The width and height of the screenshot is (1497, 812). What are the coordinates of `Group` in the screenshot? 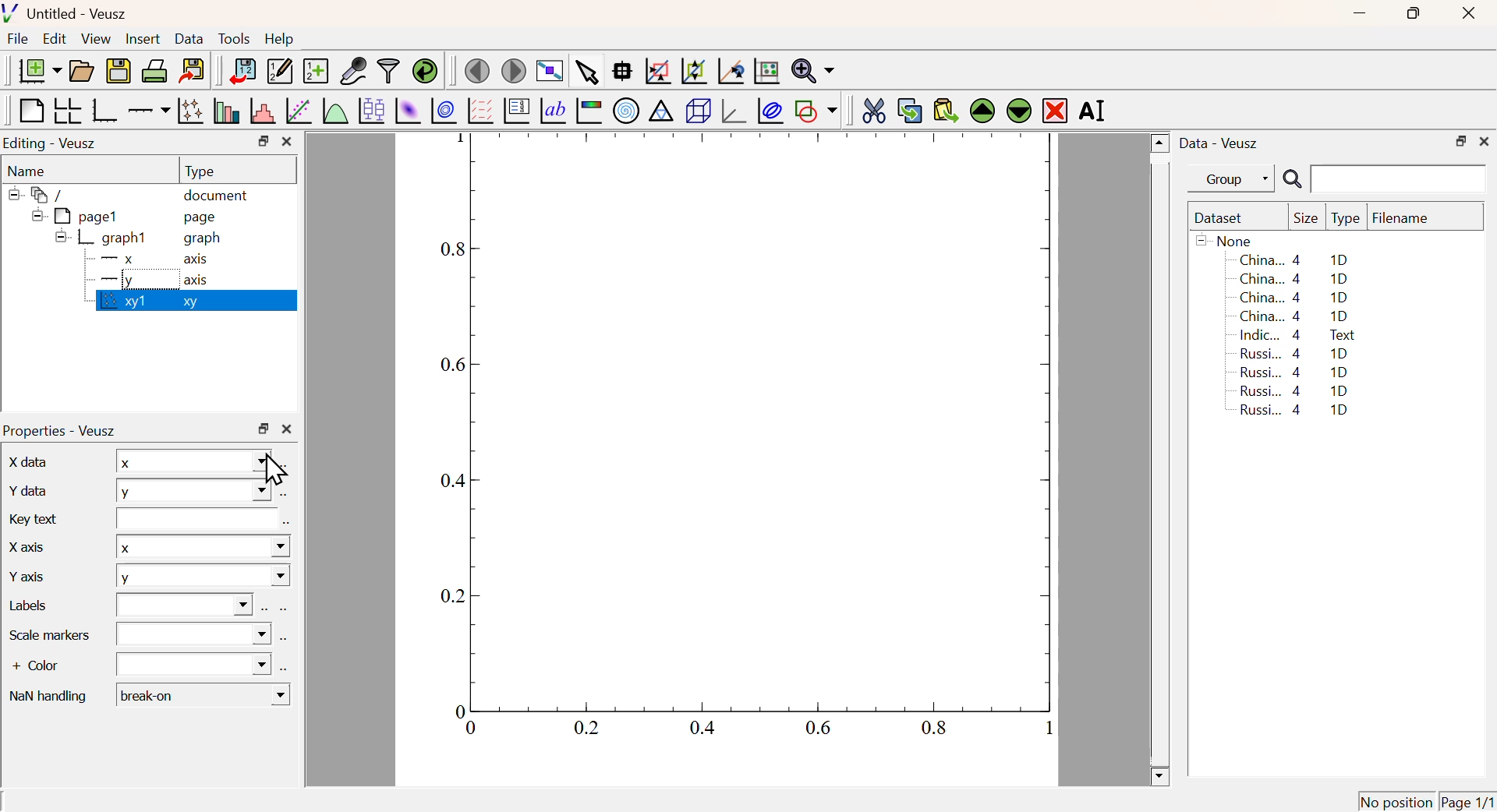 It's located at (1236, 180).